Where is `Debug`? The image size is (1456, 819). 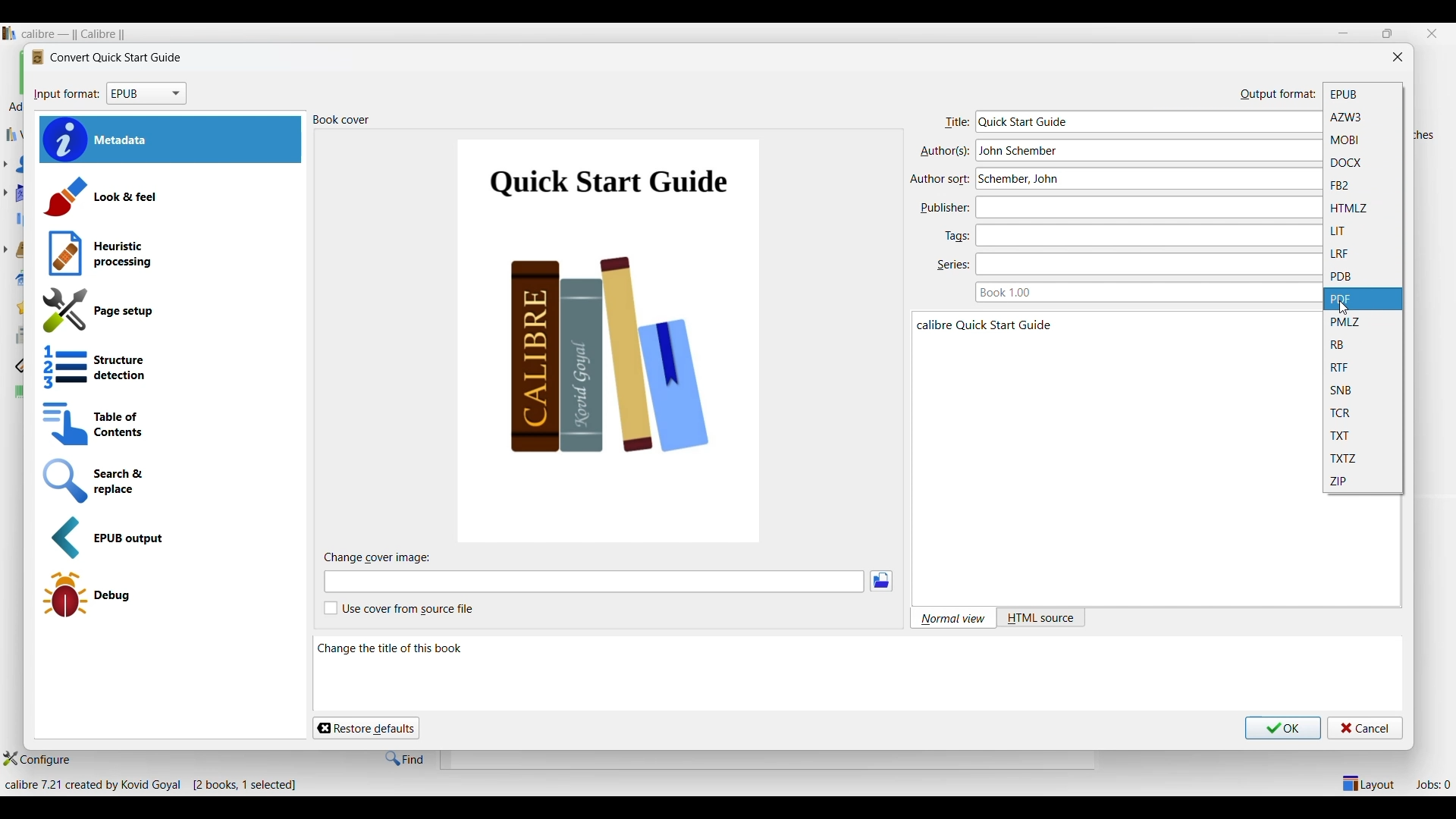 Debug is located at coordinates (169, 595).